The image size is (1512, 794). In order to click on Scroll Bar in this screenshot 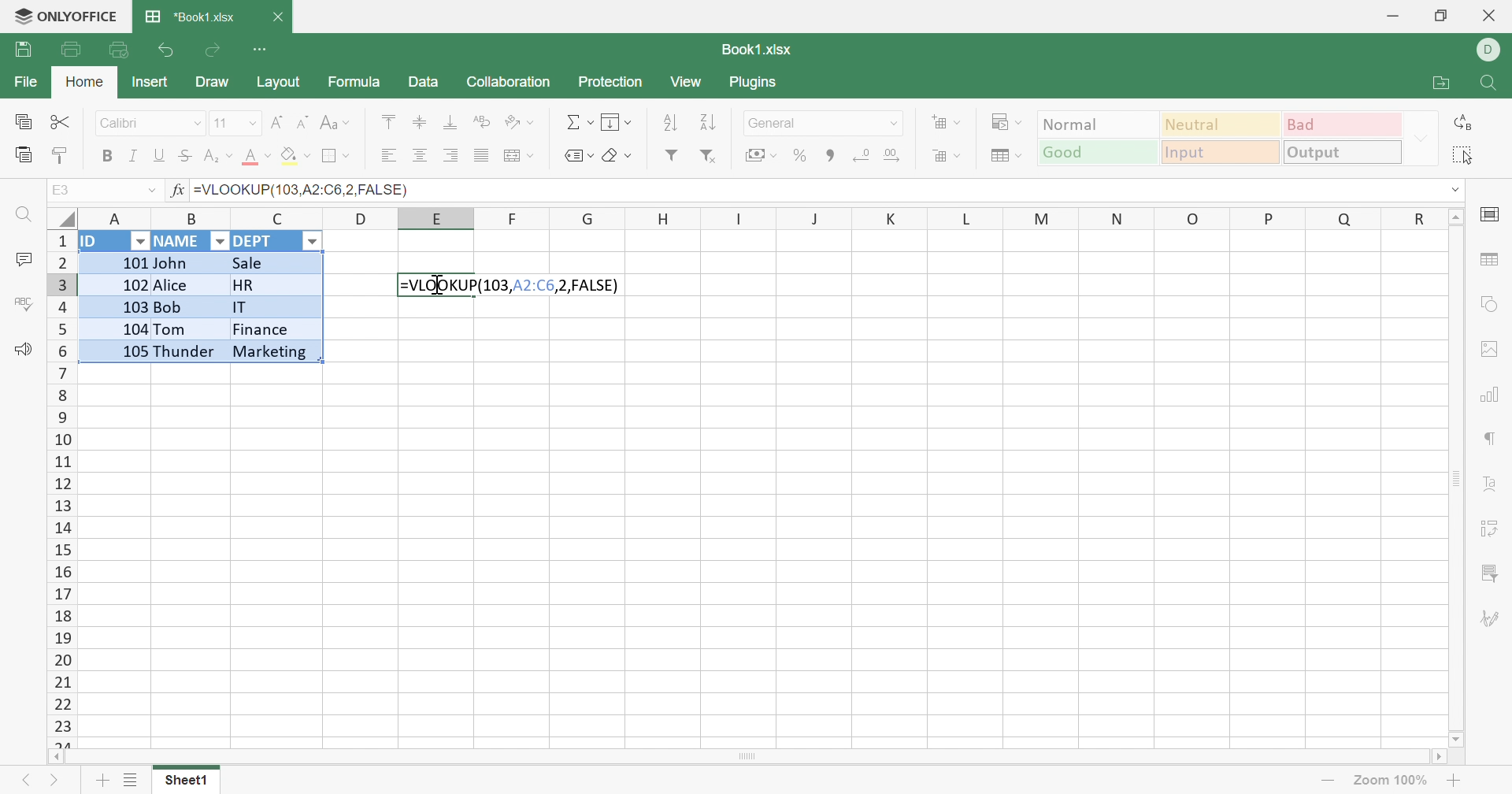, I will do `click(749, 756)`.